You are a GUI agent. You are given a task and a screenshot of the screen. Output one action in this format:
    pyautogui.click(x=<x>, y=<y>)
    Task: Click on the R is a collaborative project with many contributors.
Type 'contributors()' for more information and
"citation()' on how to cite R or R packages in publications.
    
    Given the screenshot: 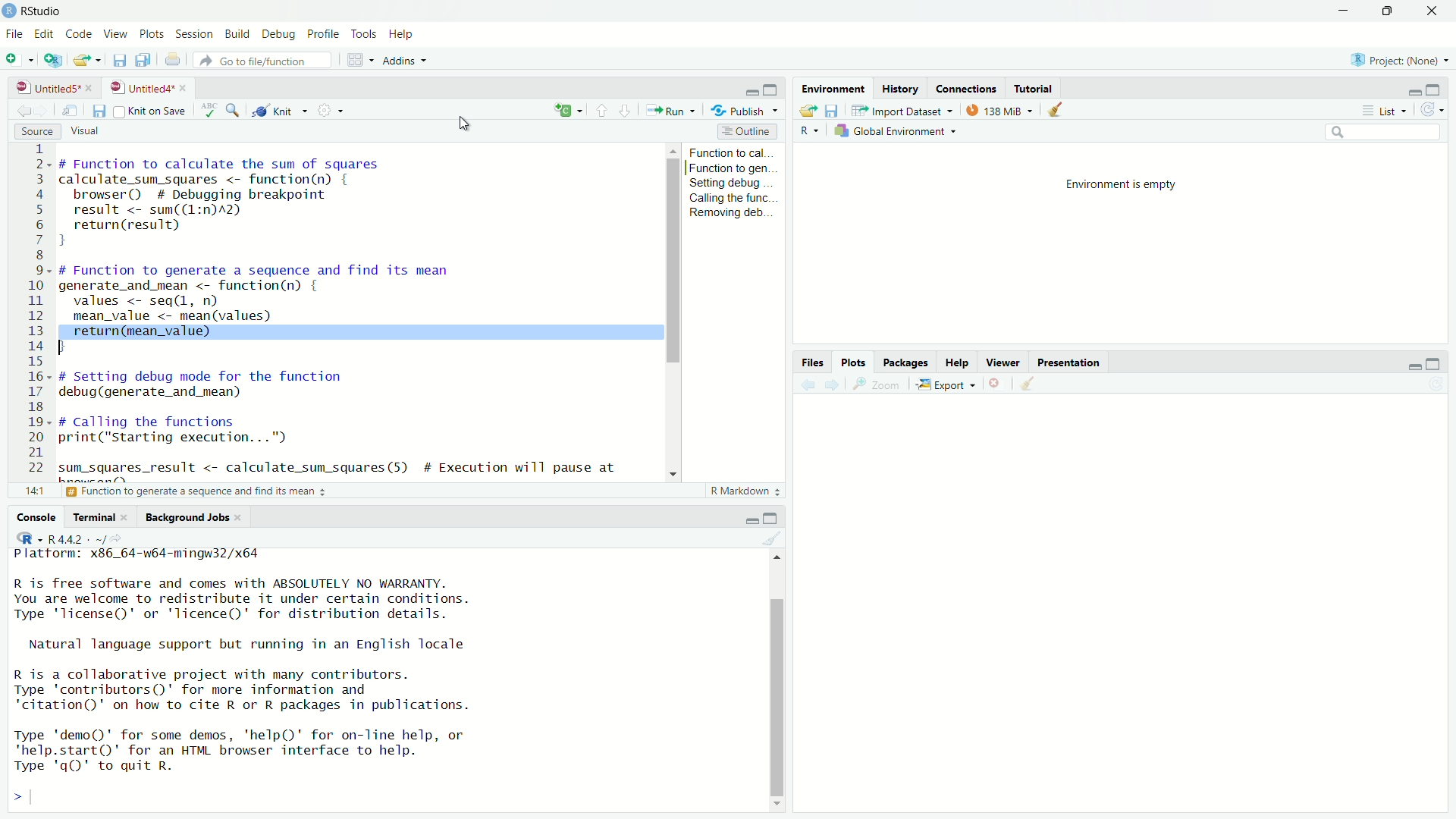 What is the action you would take?
    pyautogui.click(x=254, y=688)
    